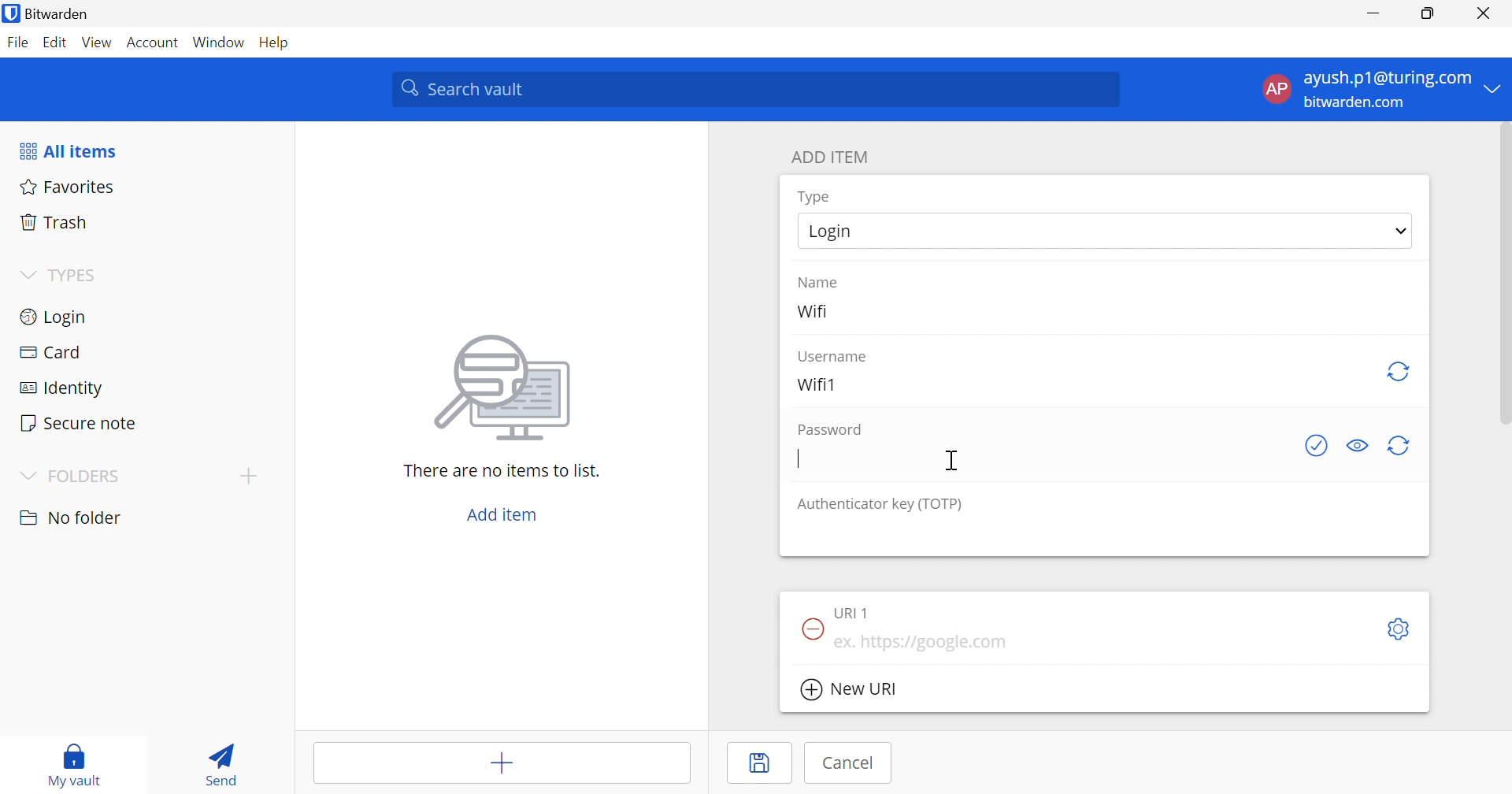 The width and height of the screenshot is (1512, 794). Describe the element at coordinates (65, 185) in the screenshot. I see `Favorites` at that location.